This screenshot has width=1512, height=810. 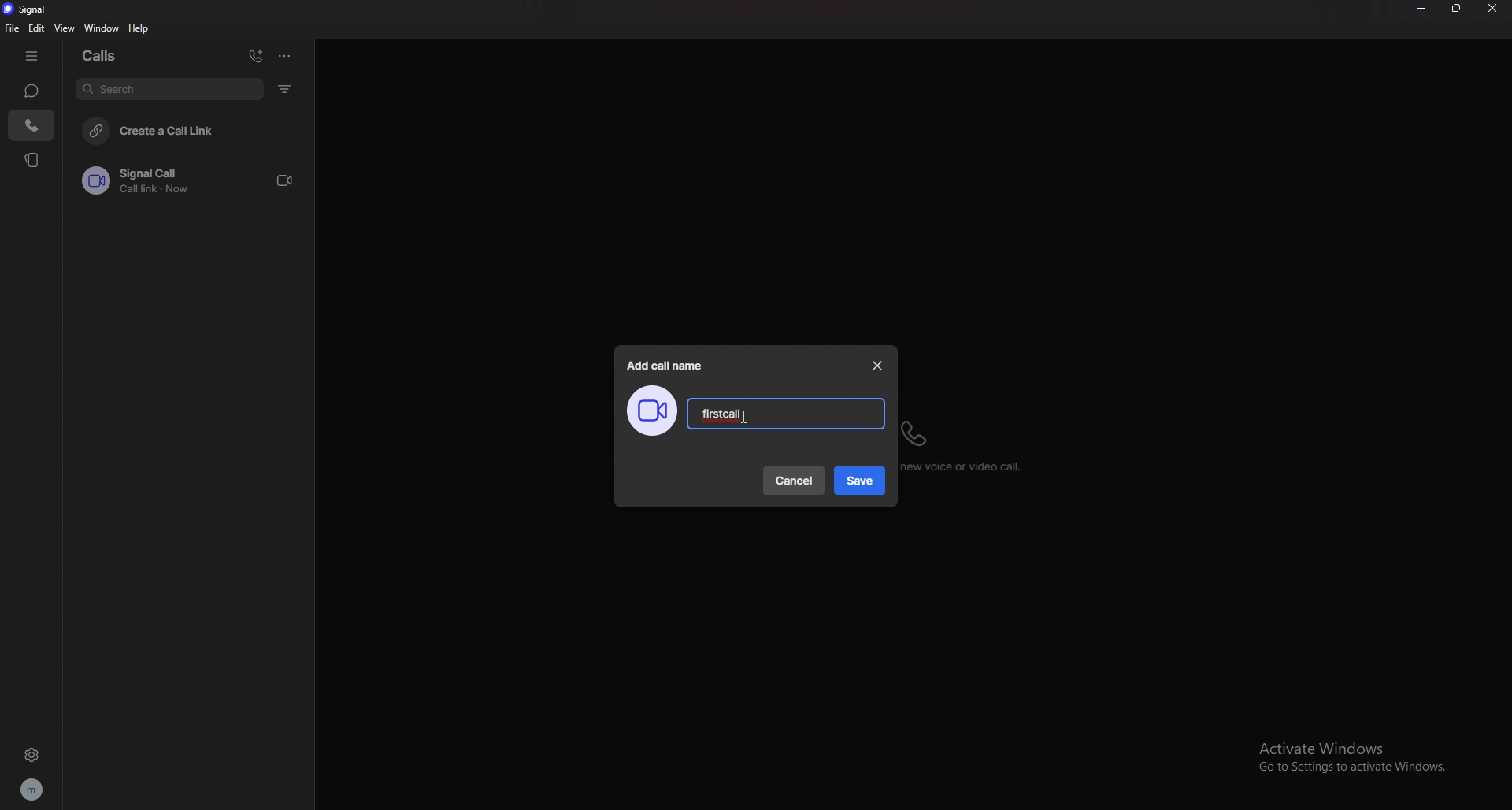 I want to click on options, so click(x=284, y=55).